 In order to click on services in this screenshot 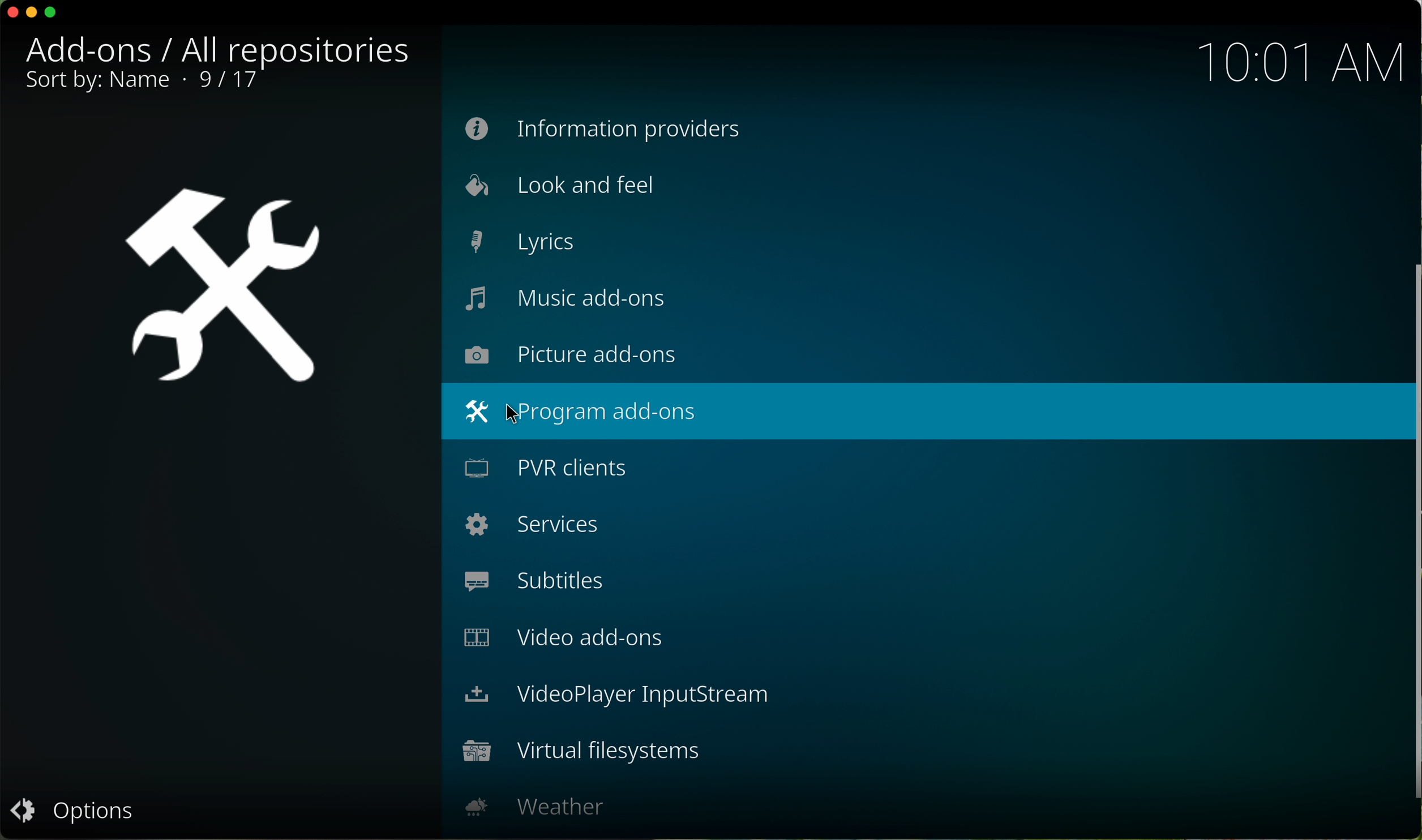, I will do `click(534, 525)`.